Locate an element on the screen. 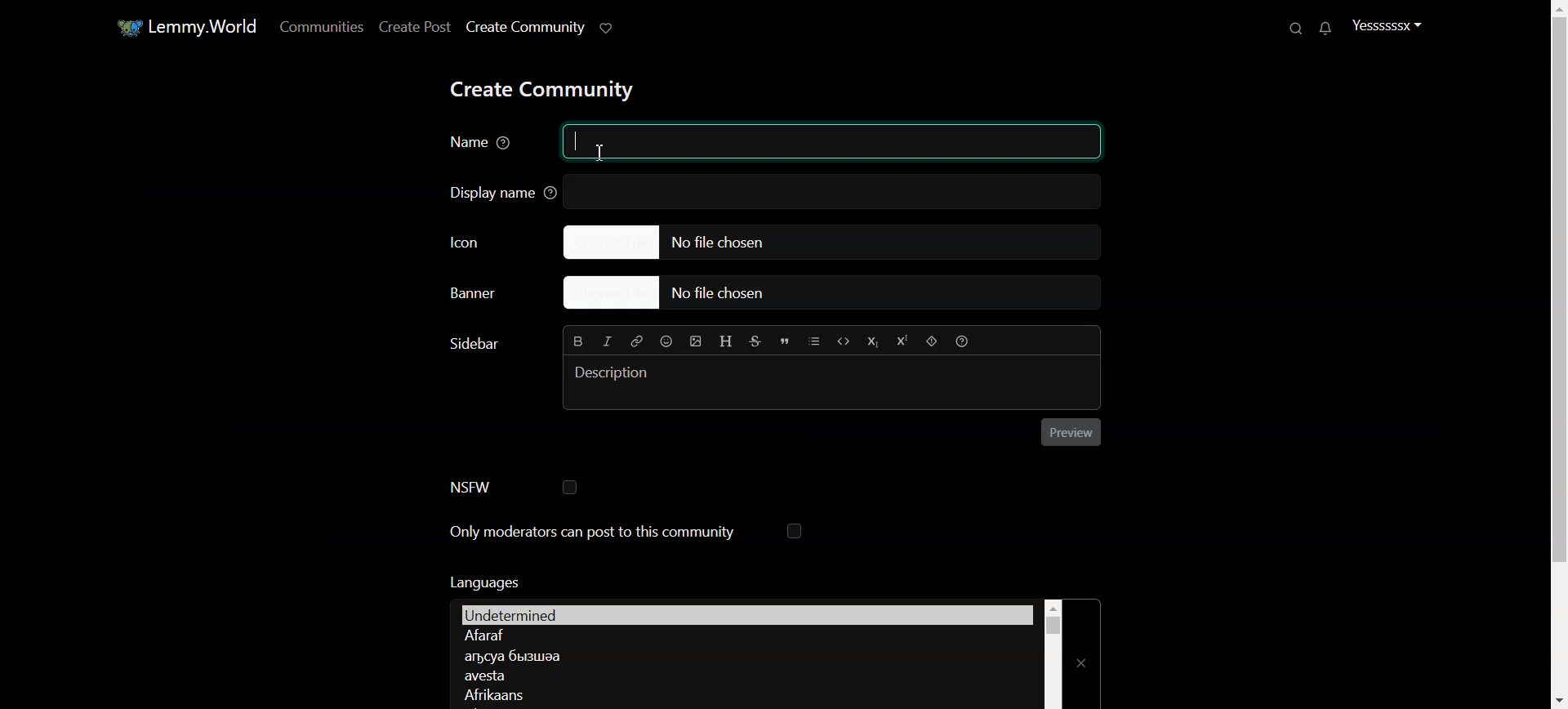 Image resolution: width=1568 pixels, height=709 pixels. typing is located at coordinates (832, 142).